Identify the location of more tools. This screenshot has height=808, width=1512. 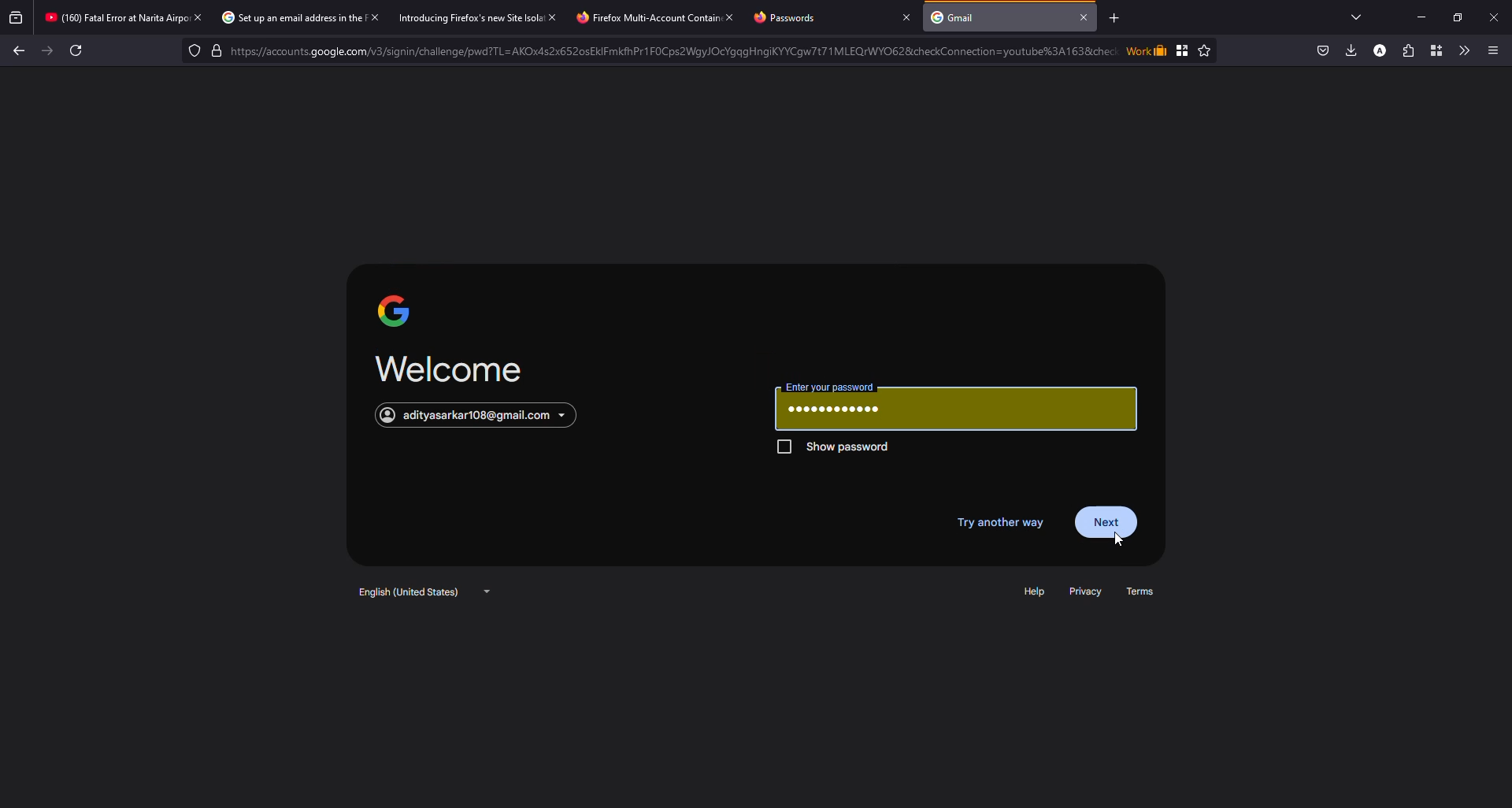
(1462, 49).